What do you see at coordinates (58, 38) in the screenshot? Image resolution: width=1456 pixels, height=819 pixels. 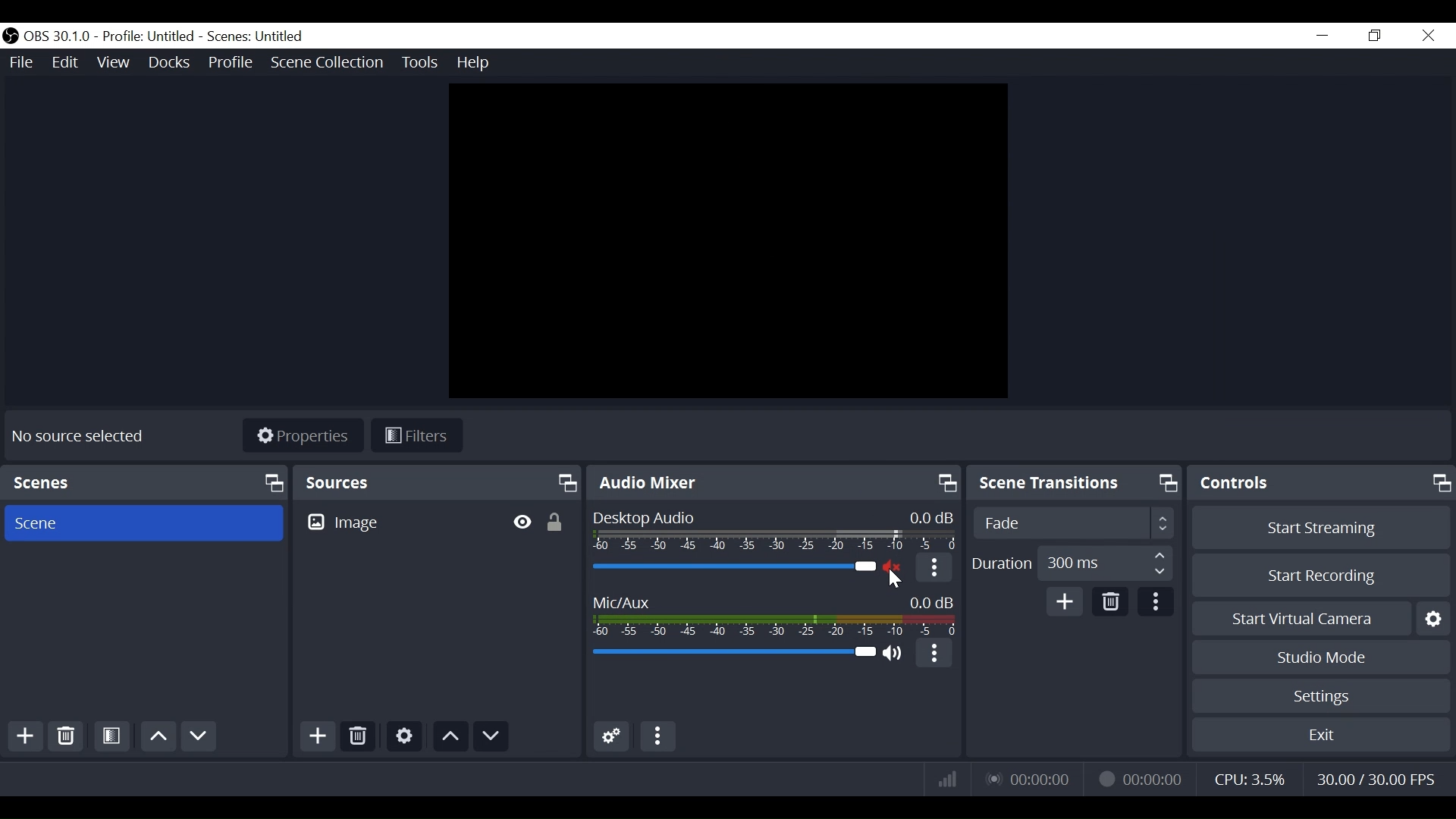 I see `OBS Version` at bounding box center [58, 38].